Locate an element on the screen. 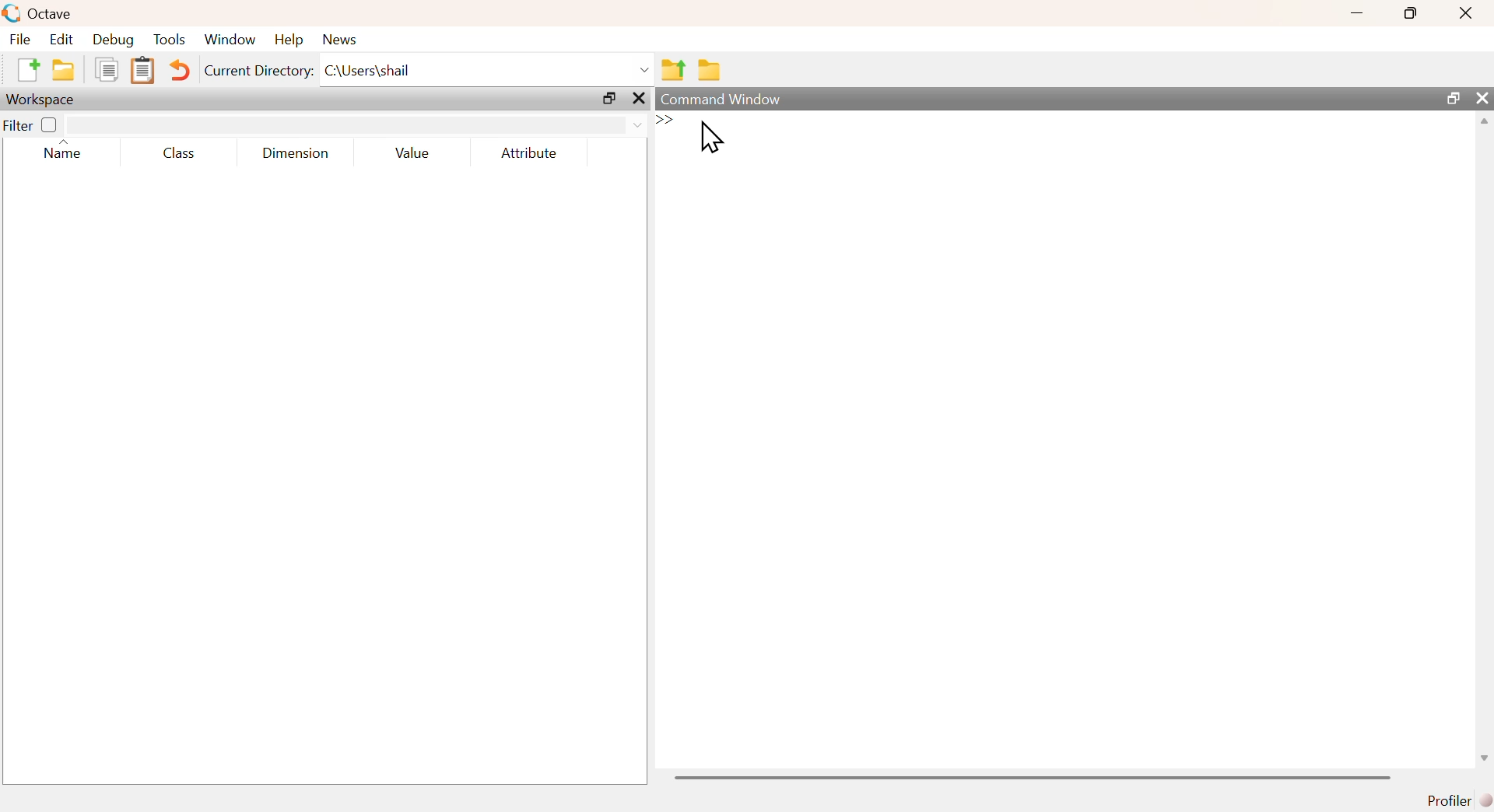 This screenshot has width=1494, height=812. maximize is located at coordinates (608, 100).